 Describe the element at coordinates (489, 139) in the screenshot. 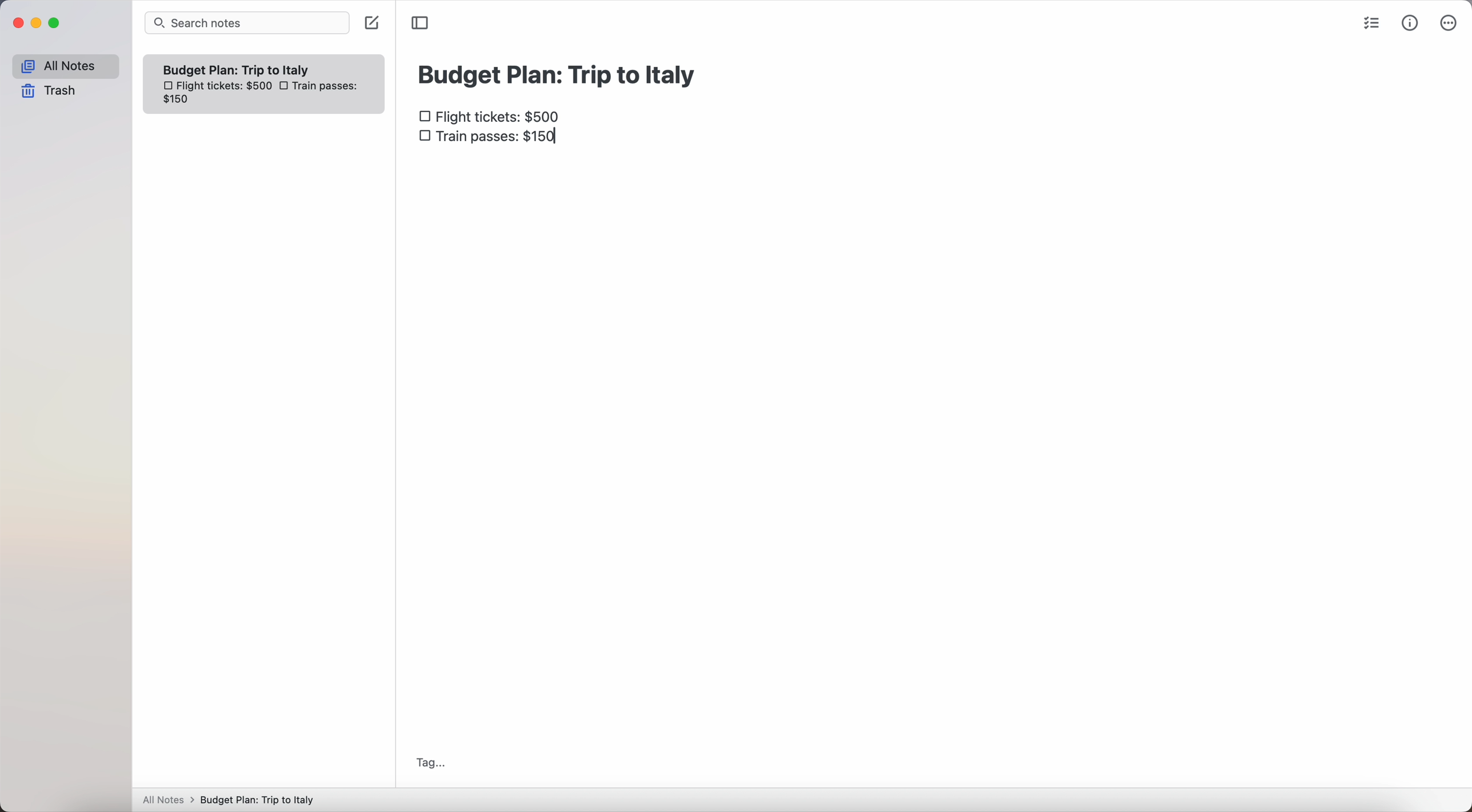

I see `train passes` at that location.